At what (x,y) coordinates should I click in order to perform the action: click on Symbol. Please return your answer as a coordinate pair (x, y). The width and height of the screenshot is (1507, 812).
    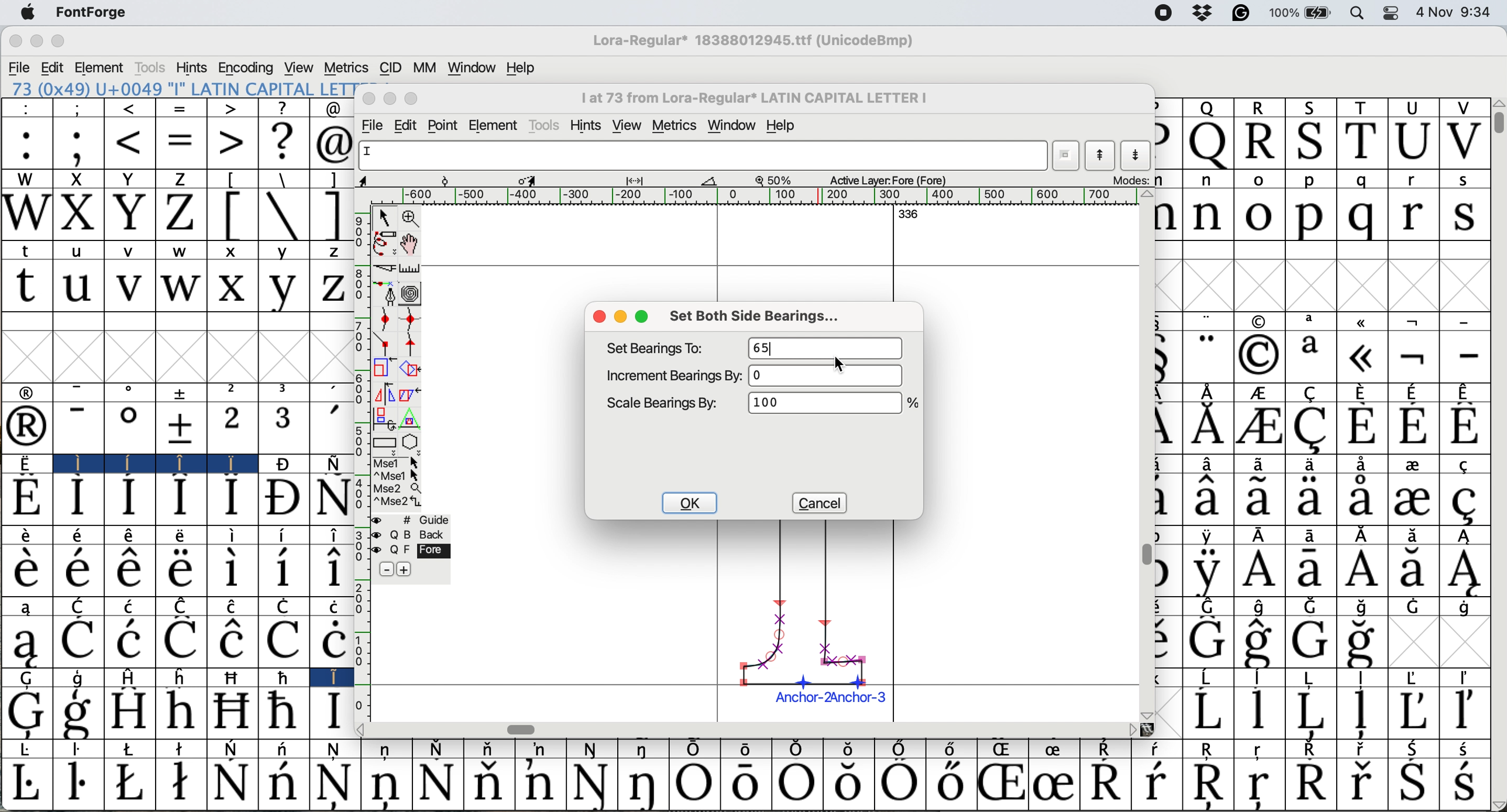
    Looking at the image, I should click on (1261, 750).